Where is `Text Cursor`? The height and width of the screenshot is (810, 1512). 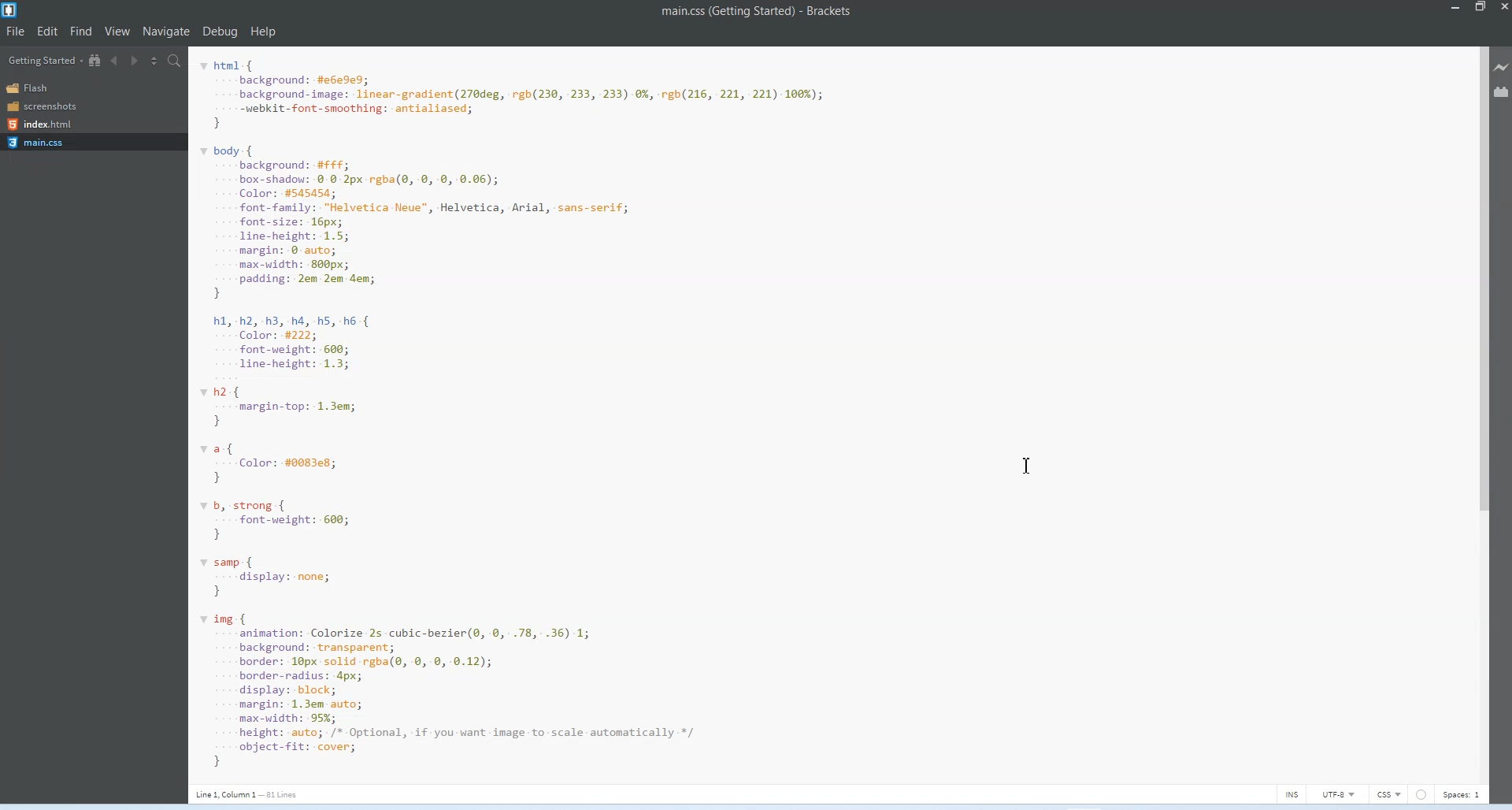 Text Cursor is located at coordinates (1026, 466).